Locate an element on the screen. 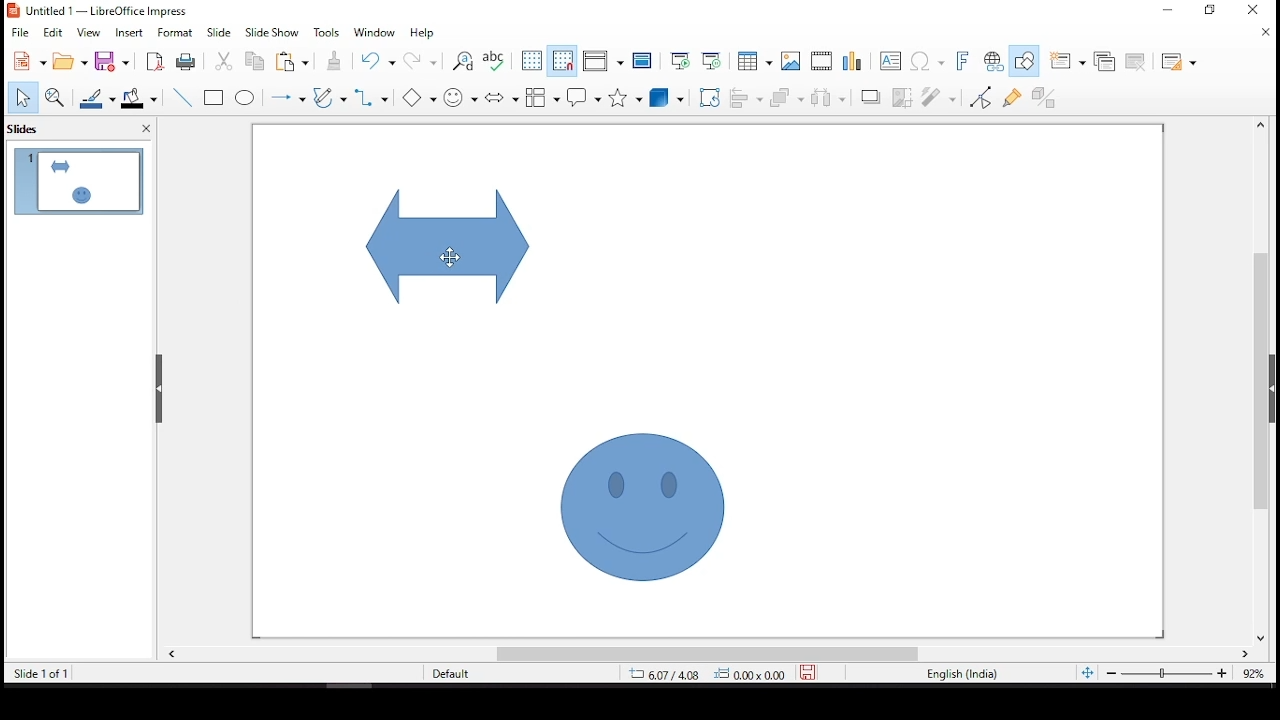  align objects is located at coordinates (743, 97).